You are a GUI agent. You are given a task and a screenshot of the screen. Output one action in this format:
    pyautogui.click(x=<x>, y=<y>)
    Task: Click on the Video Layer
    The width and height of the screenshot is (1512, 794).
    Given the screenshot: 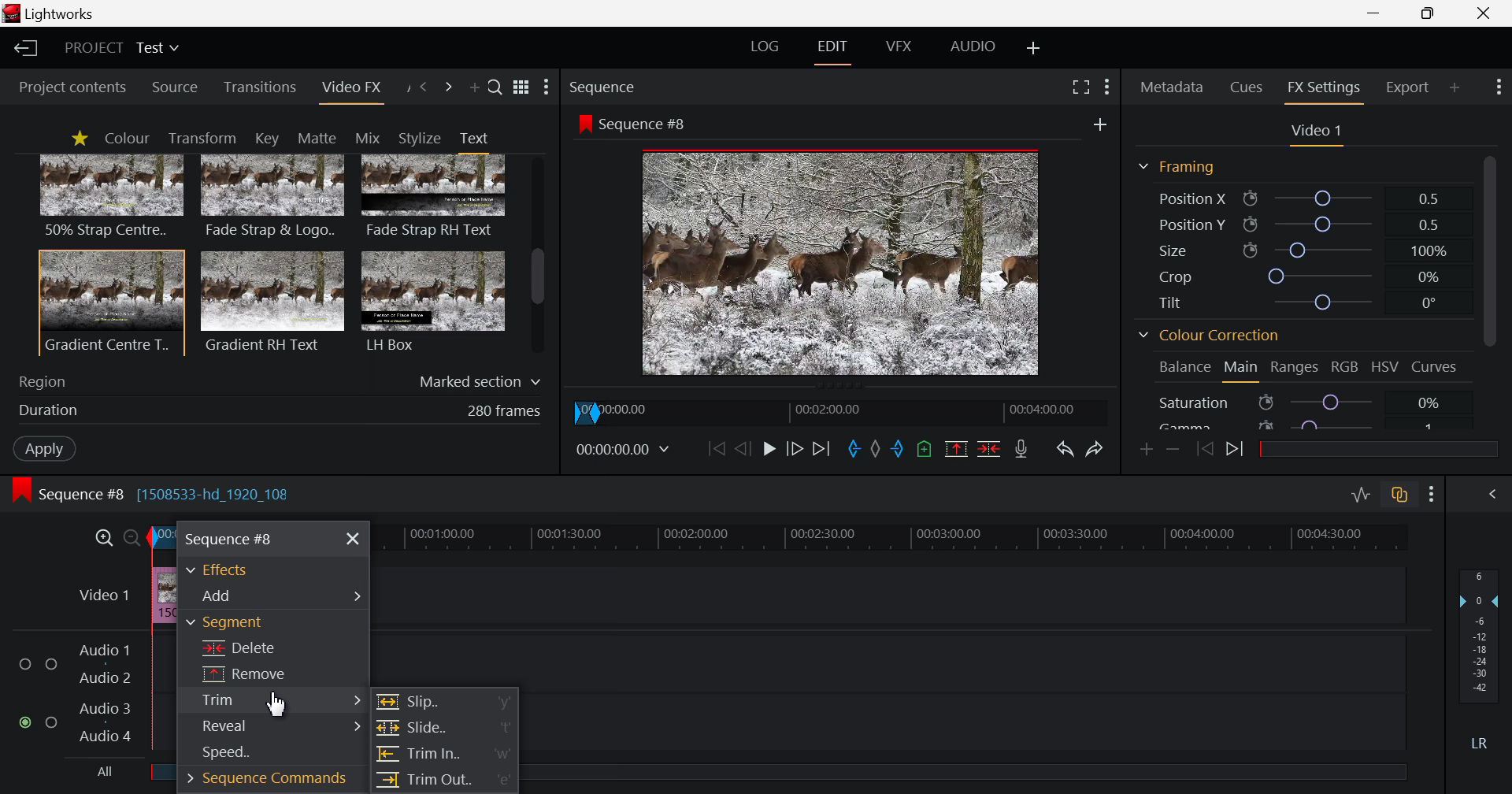 What is the action you would take?
    pyautogui.click(x=102, y=592)
    